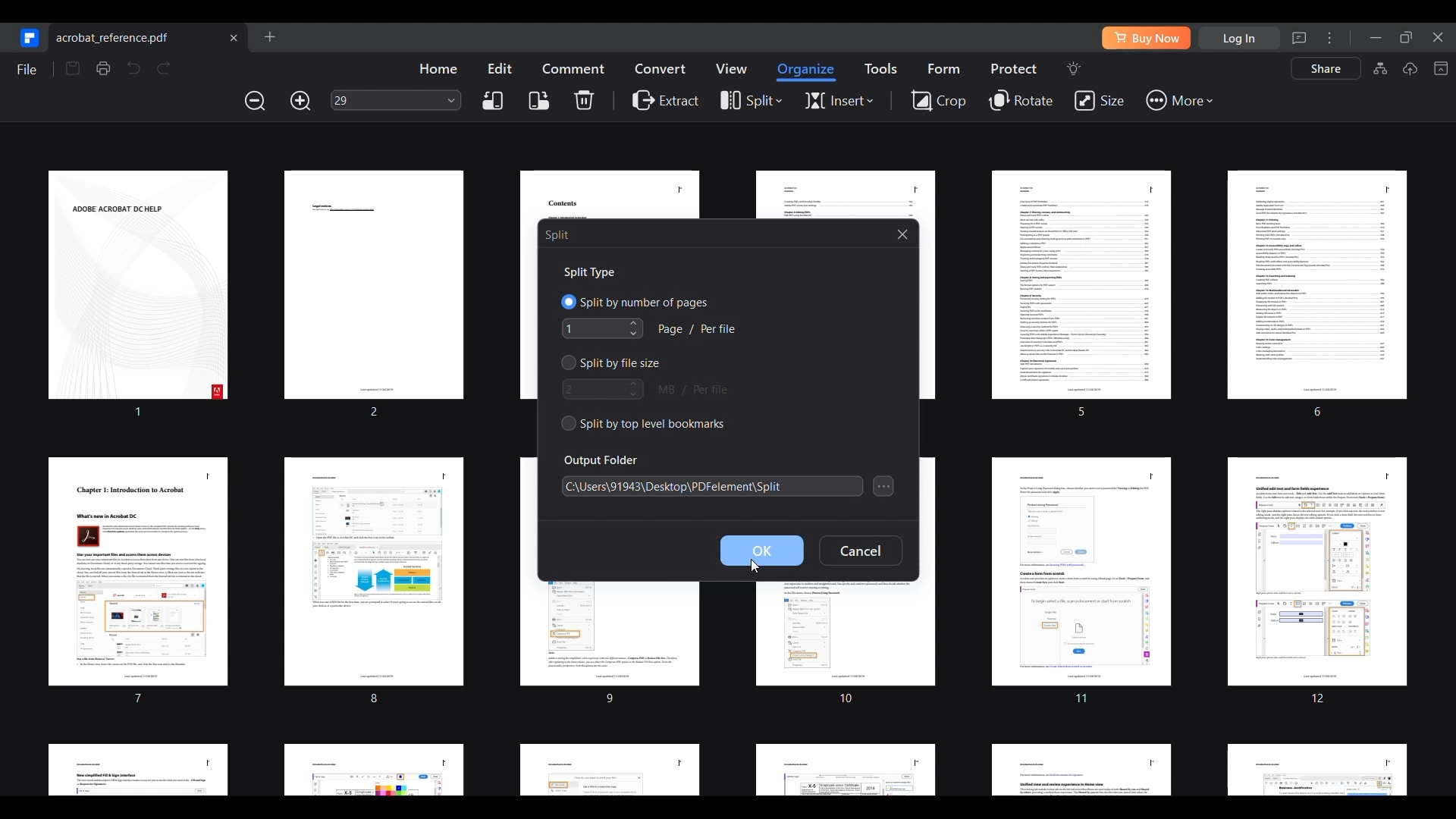 Image resolution: width=1456 pixels, height=819 pixels. What do you see at coordinates (269, 36) in the screenshot?
I see `Open file` at bounding box center [269, 36].